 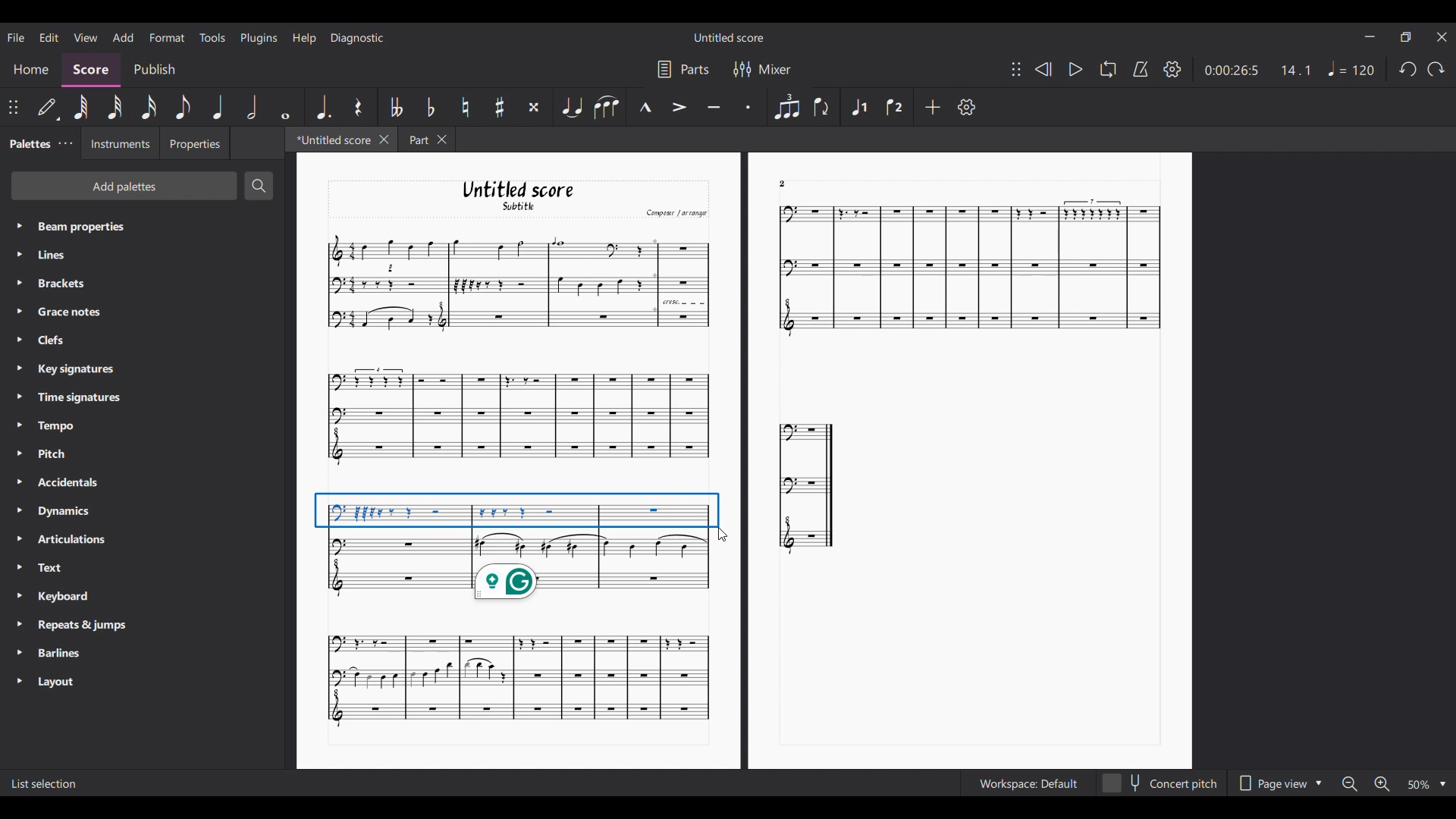 I want to click on Mixer settings, so click(x=764, y=69).